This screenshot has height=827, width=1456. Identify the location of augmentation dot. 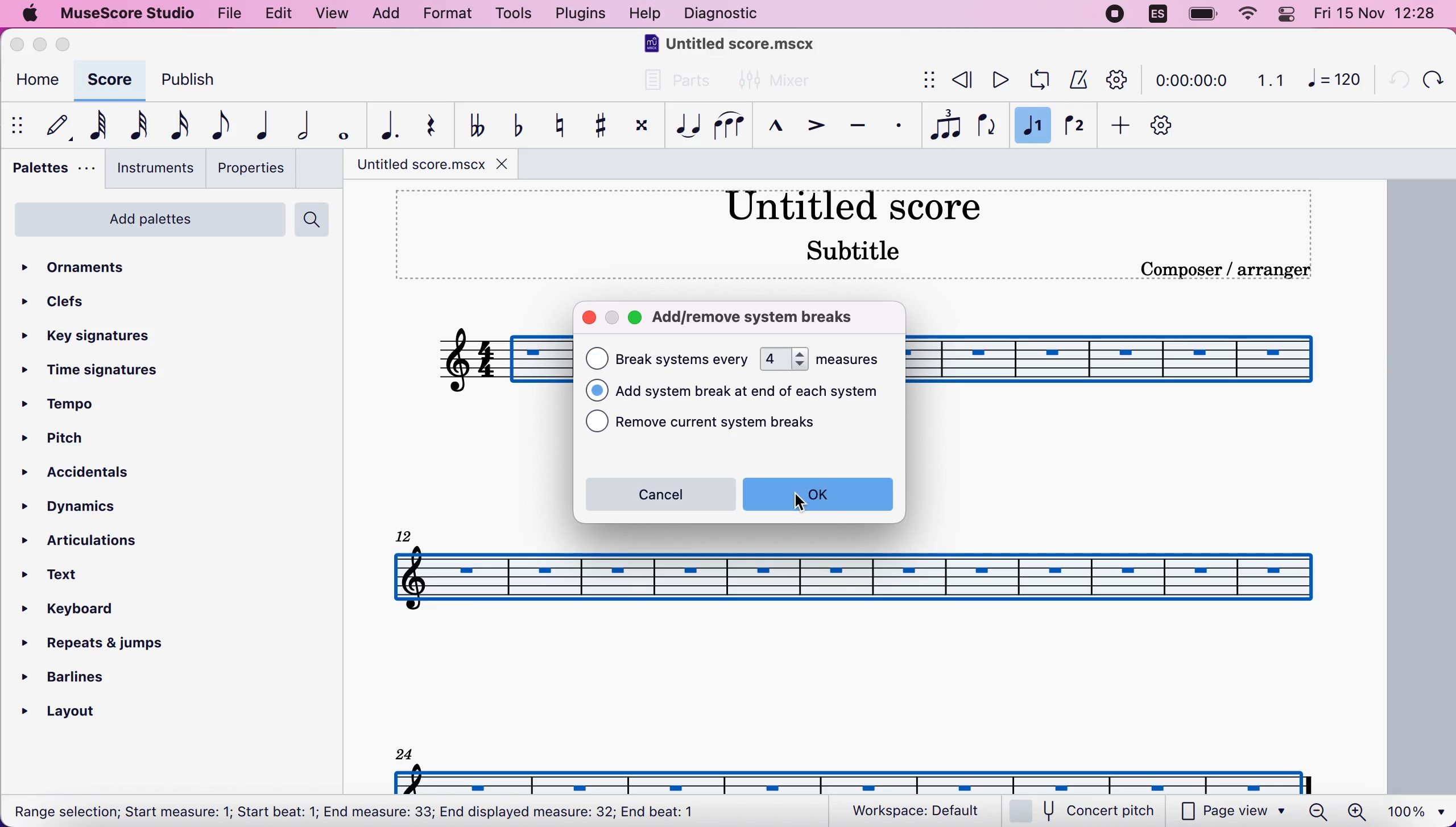
(383, 126).